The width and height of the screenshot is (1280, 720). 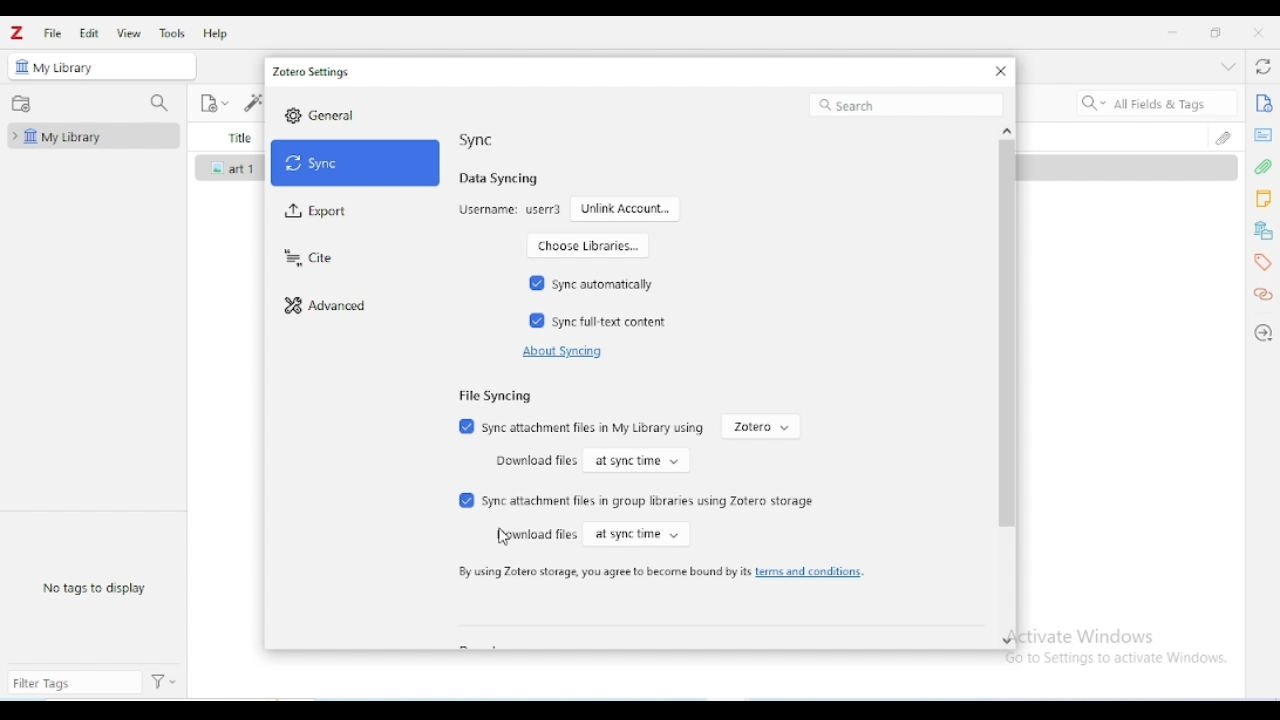 I want to click on search, so click(x=906, y=105).